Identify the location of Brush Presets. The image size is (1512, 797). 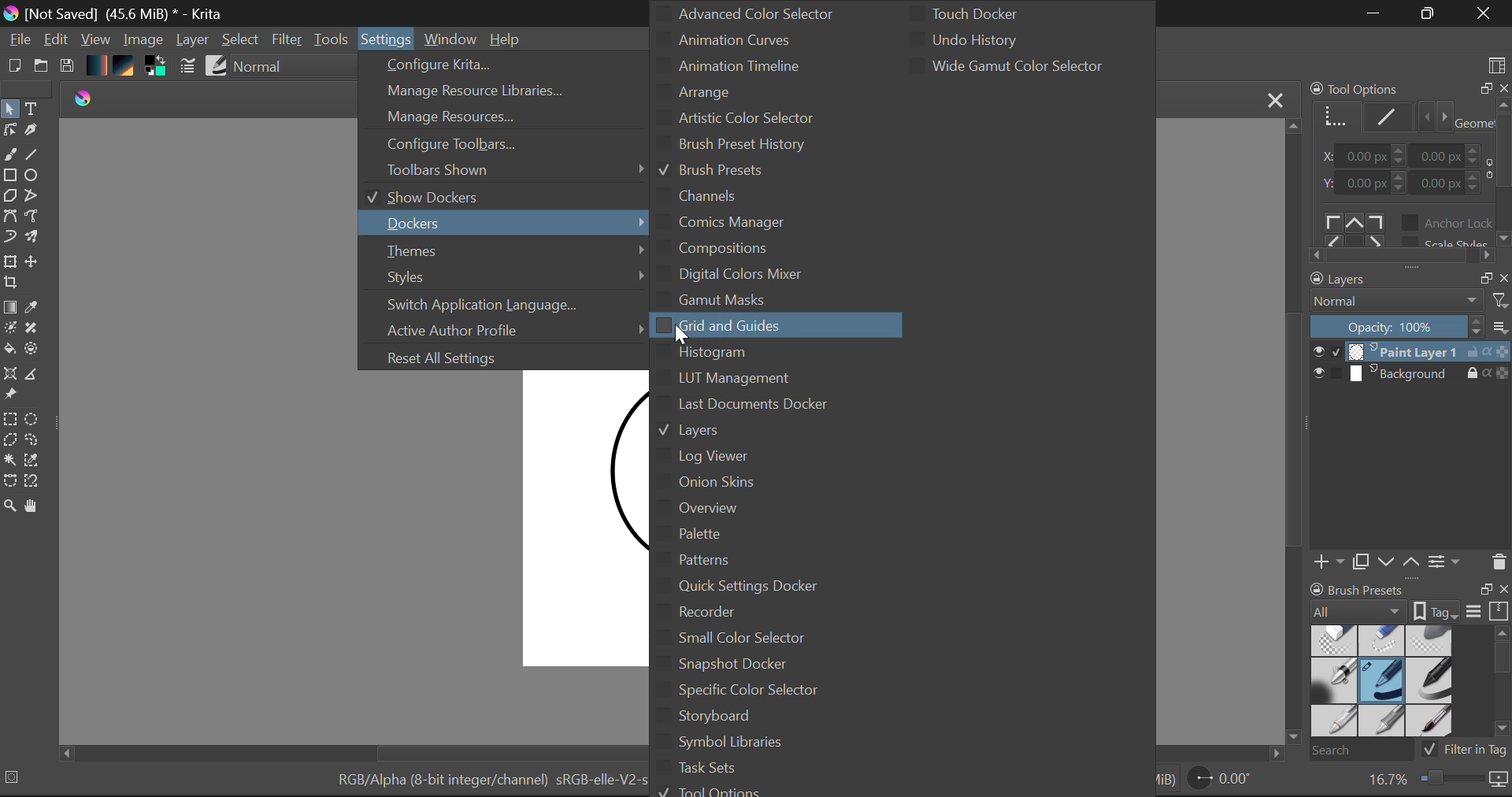
(710, 172).